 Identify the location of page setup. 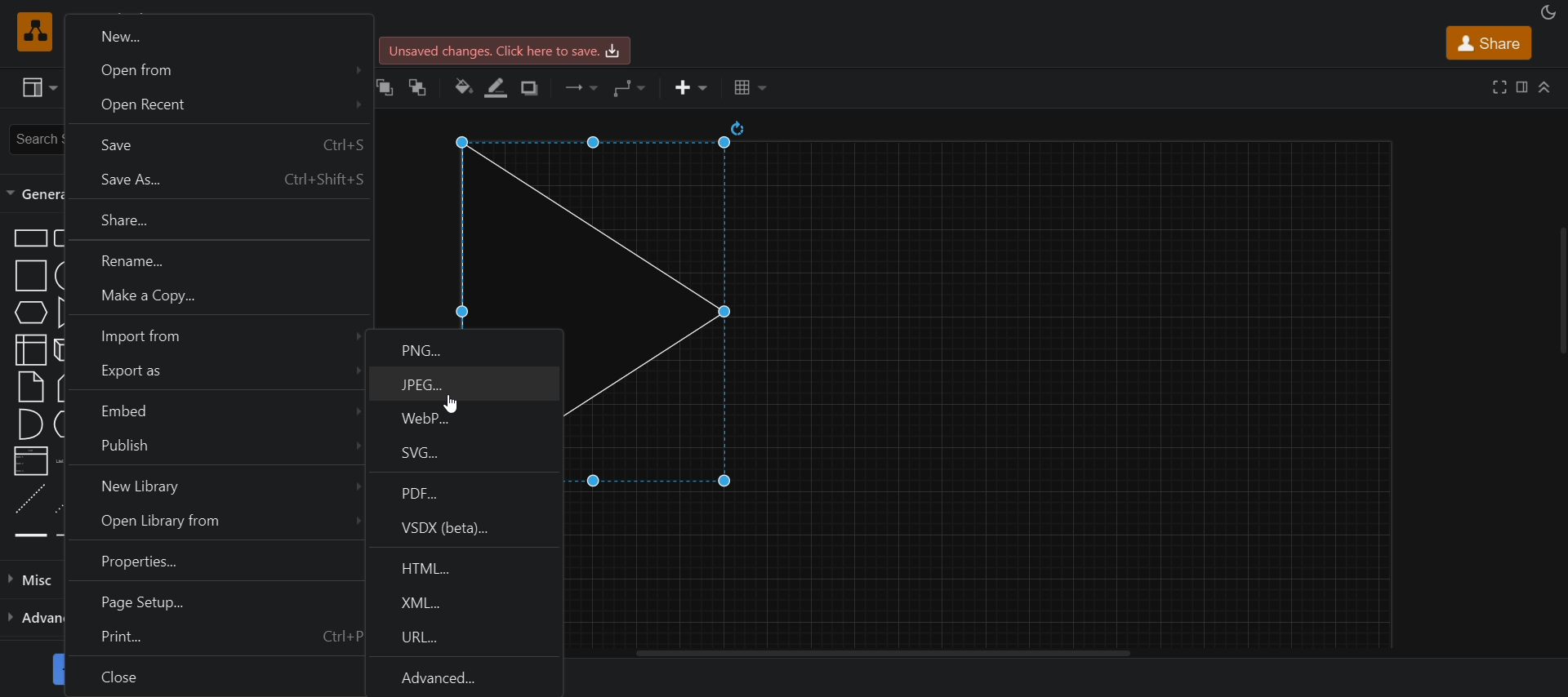
(211, 601).